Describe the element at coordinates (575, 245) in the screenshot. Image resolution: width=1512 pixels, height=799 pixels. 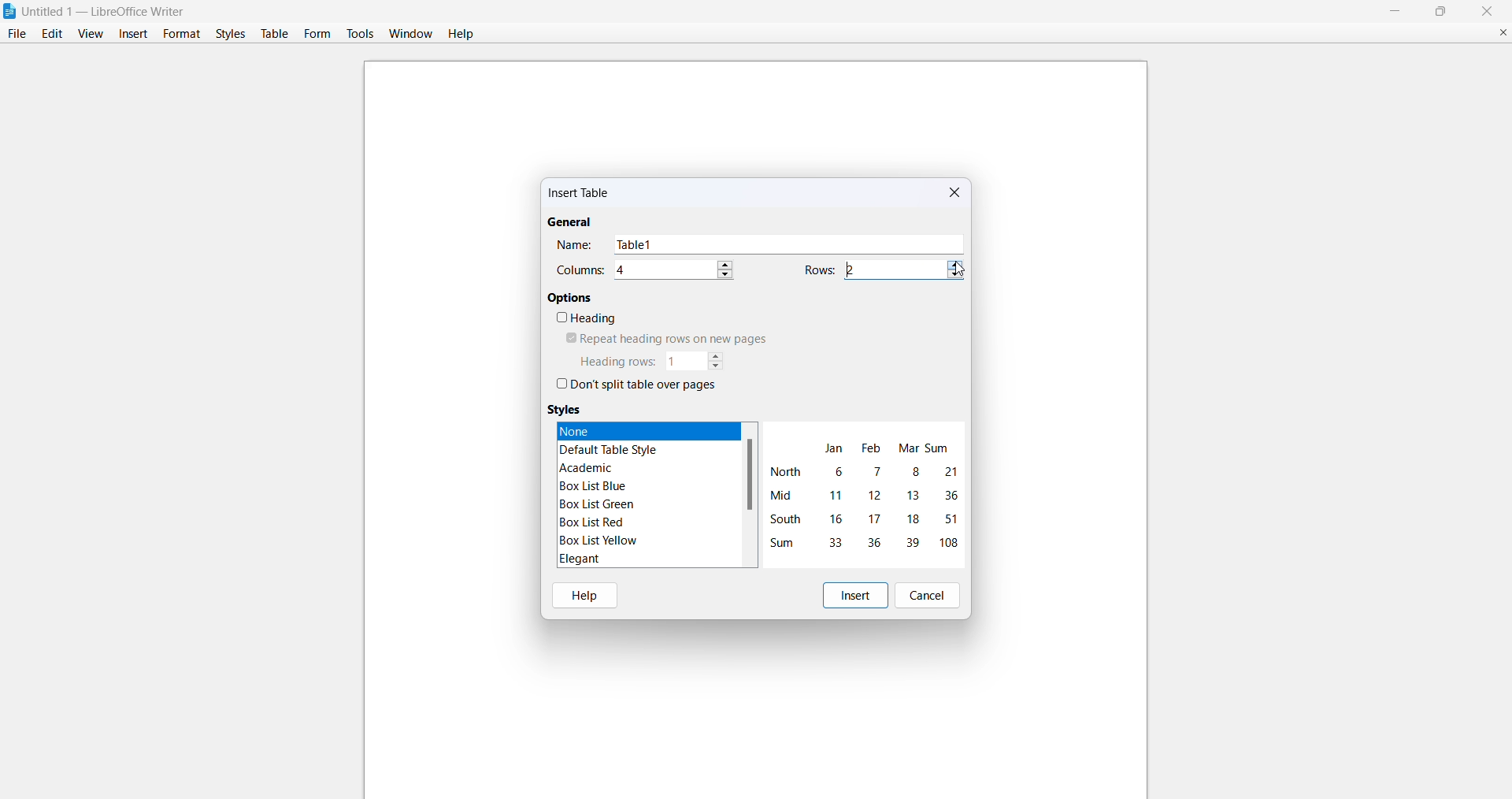
I see `name` at that location.